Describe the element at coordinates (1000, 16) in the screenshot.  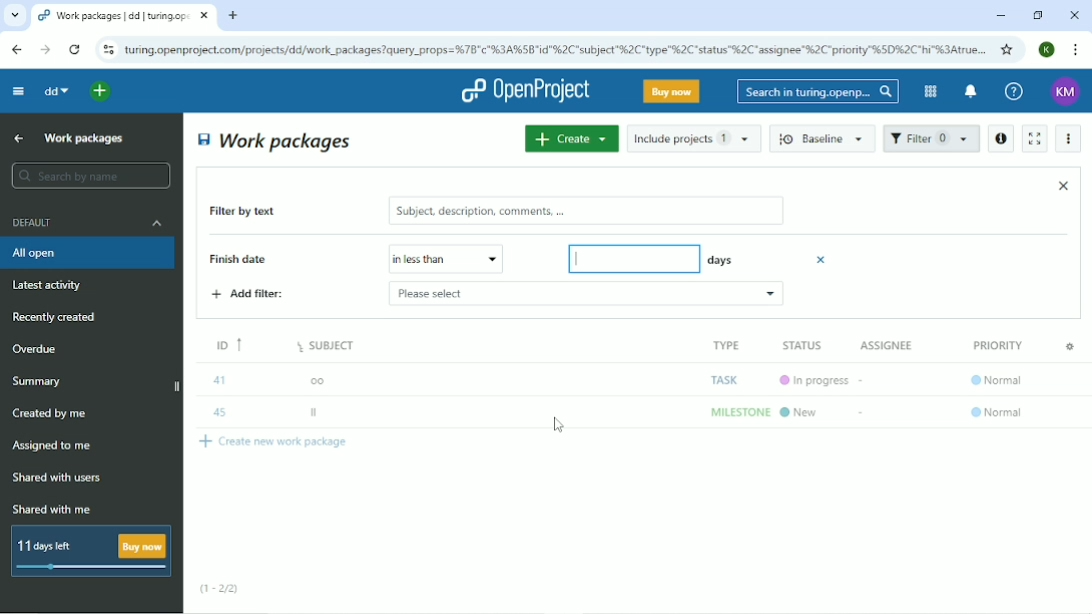
I see `Minimize` at that location.